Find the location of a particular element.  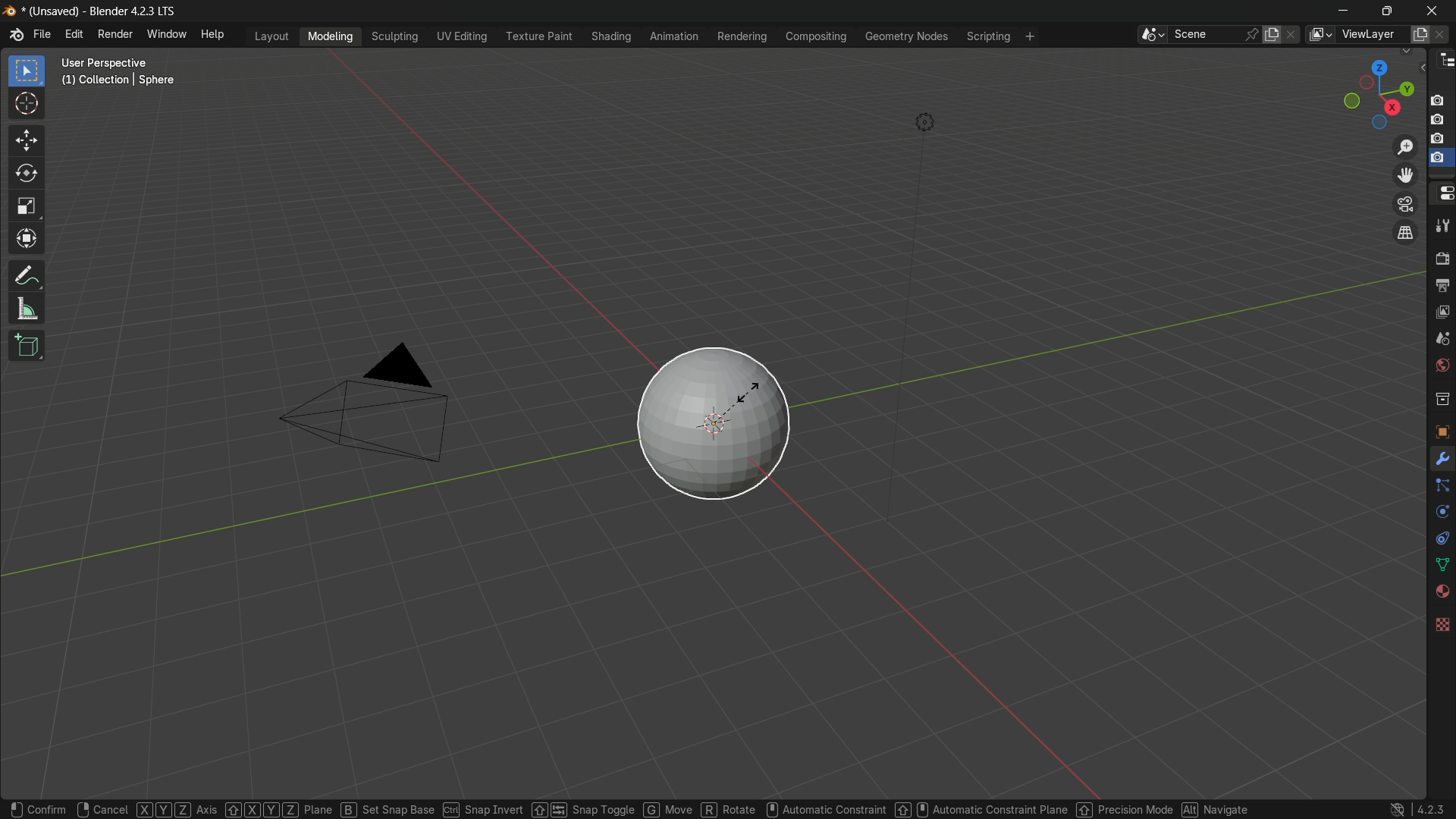

scale is located at coordinates (26, 208).